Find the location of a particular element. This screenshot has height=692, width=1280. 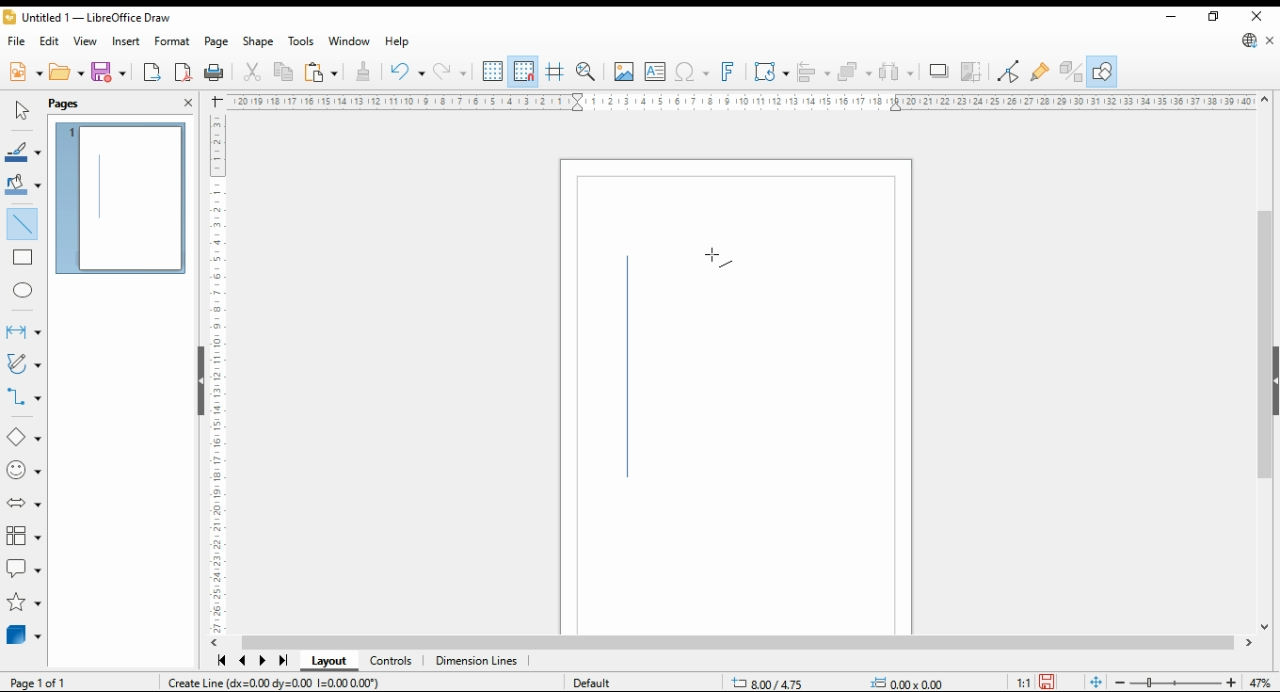

shadows is located at coordinates (938, 72).